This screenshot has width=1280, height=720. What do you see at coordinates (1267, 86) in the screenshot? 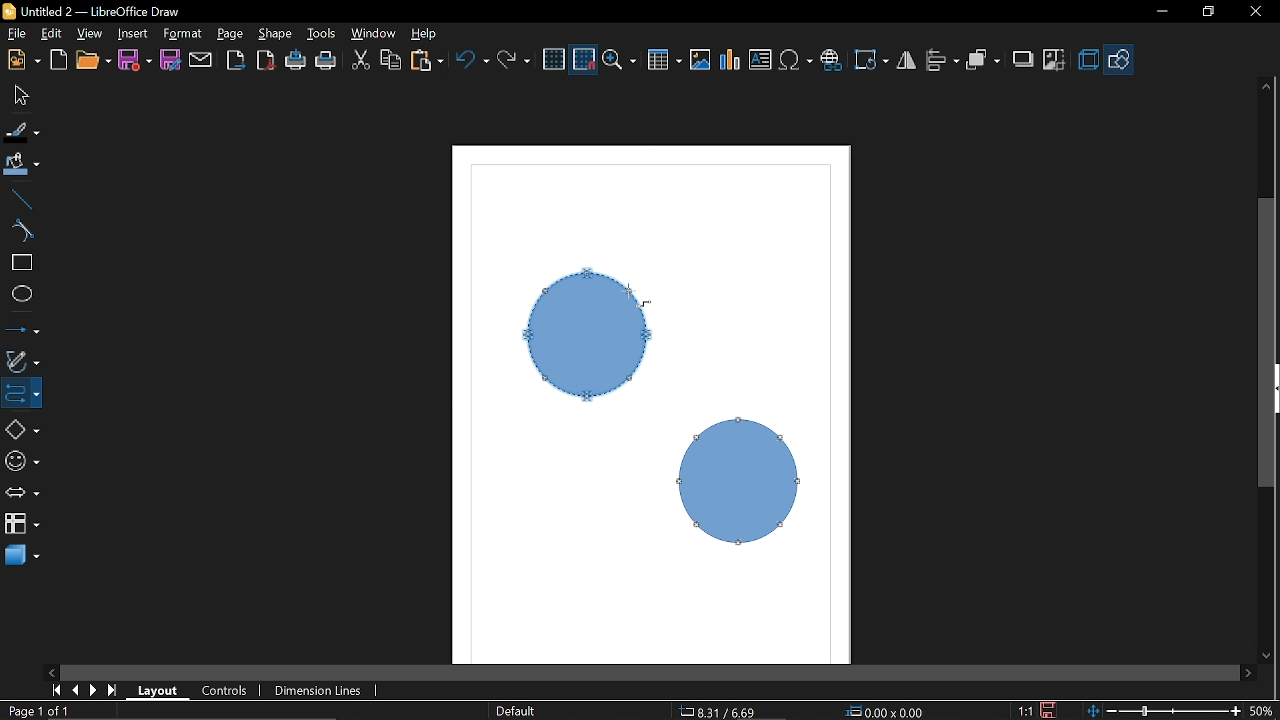
I see `Move up` at bounding box center [1267, 86].